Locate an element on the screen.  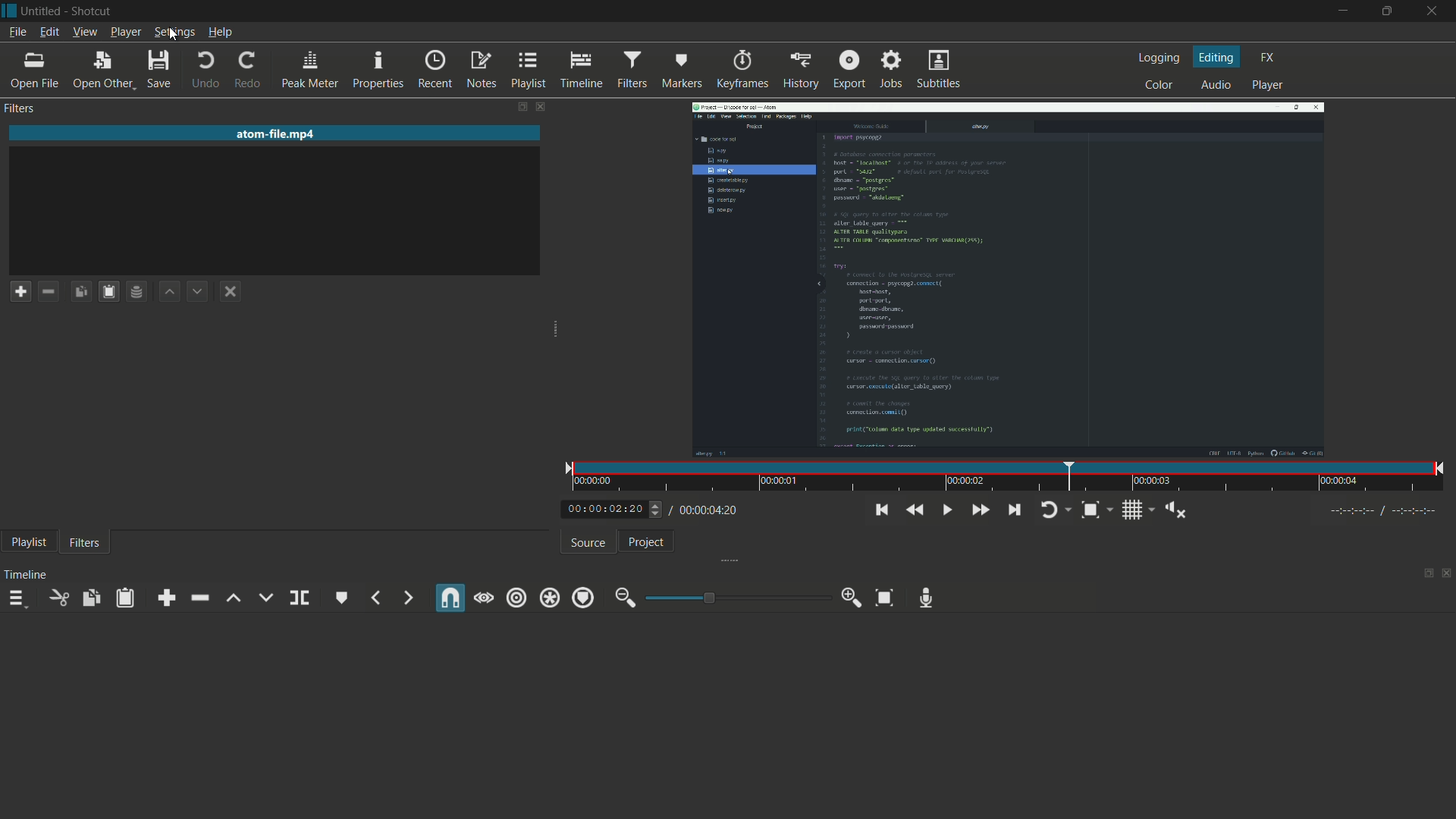
ripple markers is located at coordinates (582, 598).